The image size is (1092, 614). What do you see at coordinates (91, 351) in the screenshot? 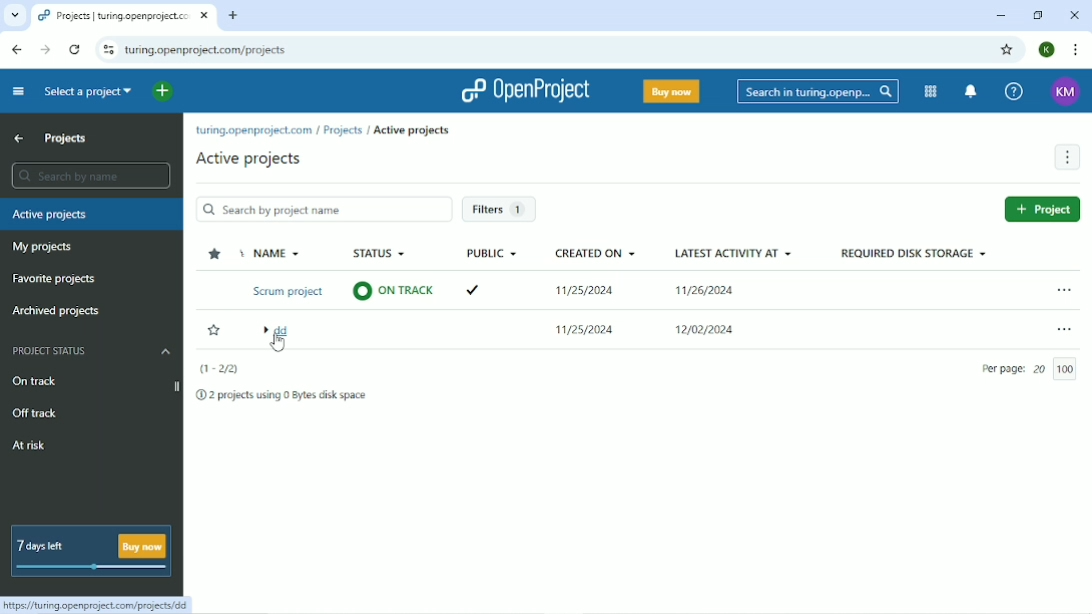
I see `Project status` at bounding box center [91, 351].